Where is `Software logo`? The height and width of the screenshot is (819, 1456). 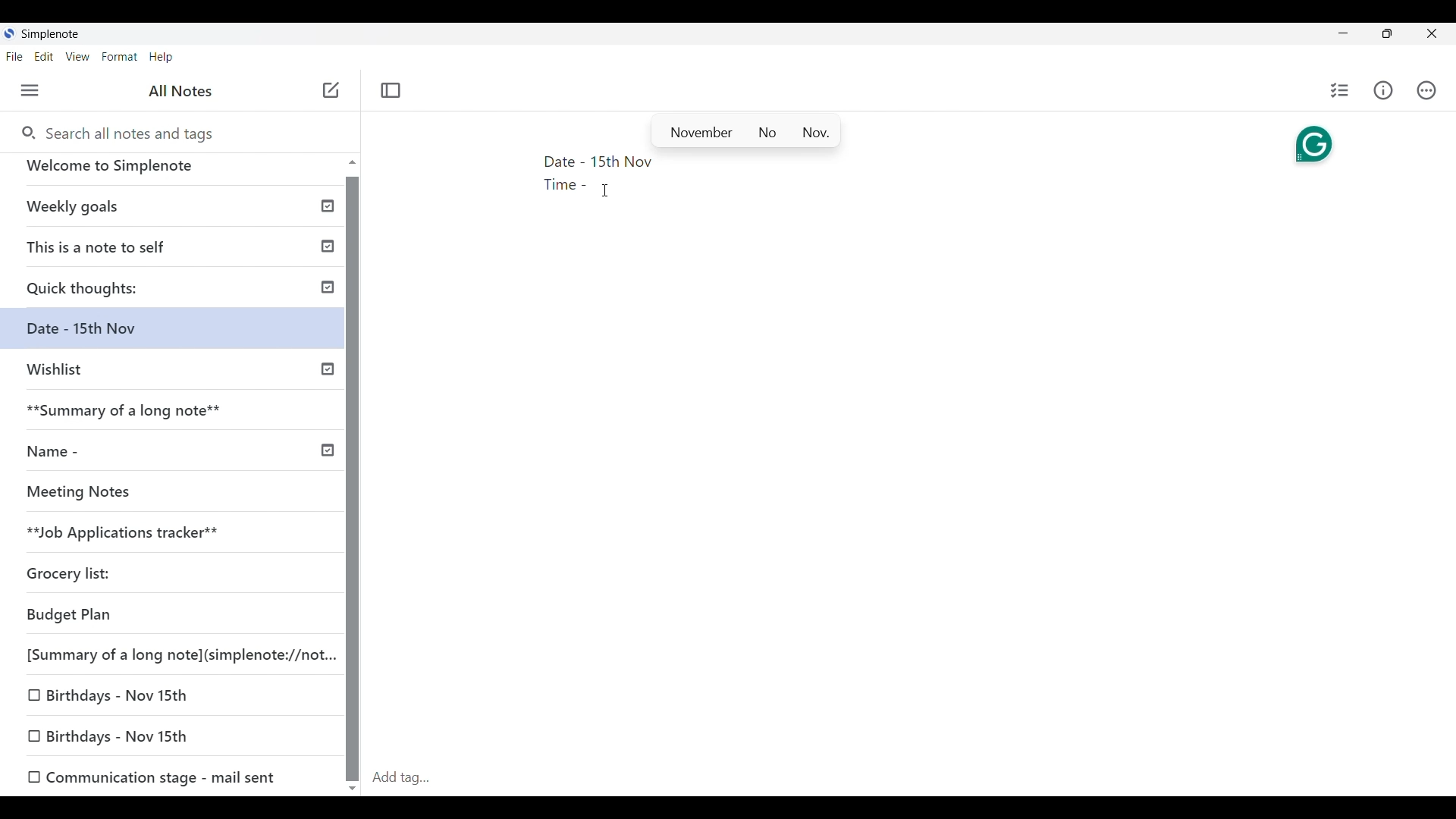 Software logo is located at coordinates (9, 33).